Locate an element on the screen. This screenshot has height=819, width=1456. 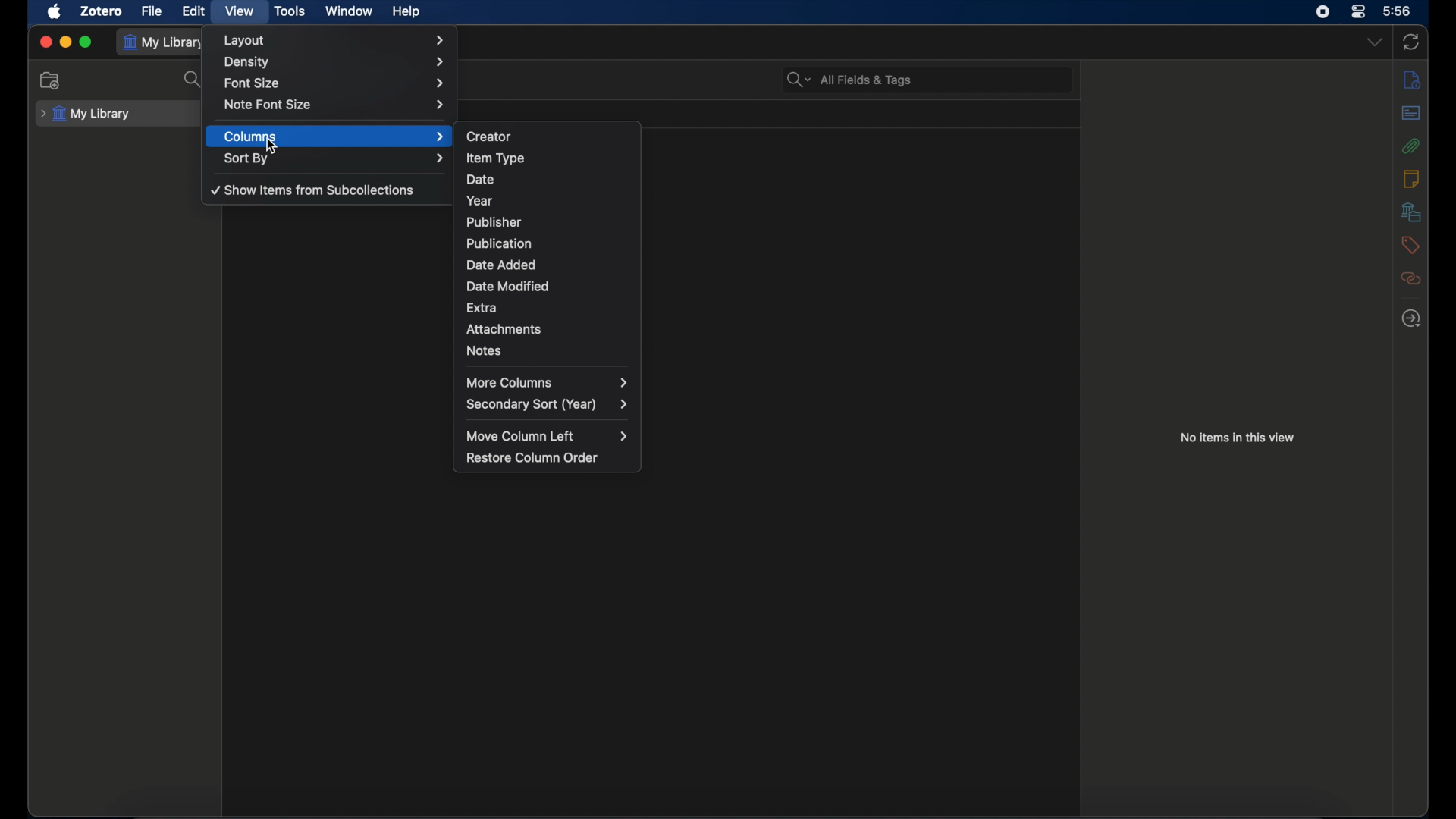
no item in this view is located at coordinates (1238, 437).